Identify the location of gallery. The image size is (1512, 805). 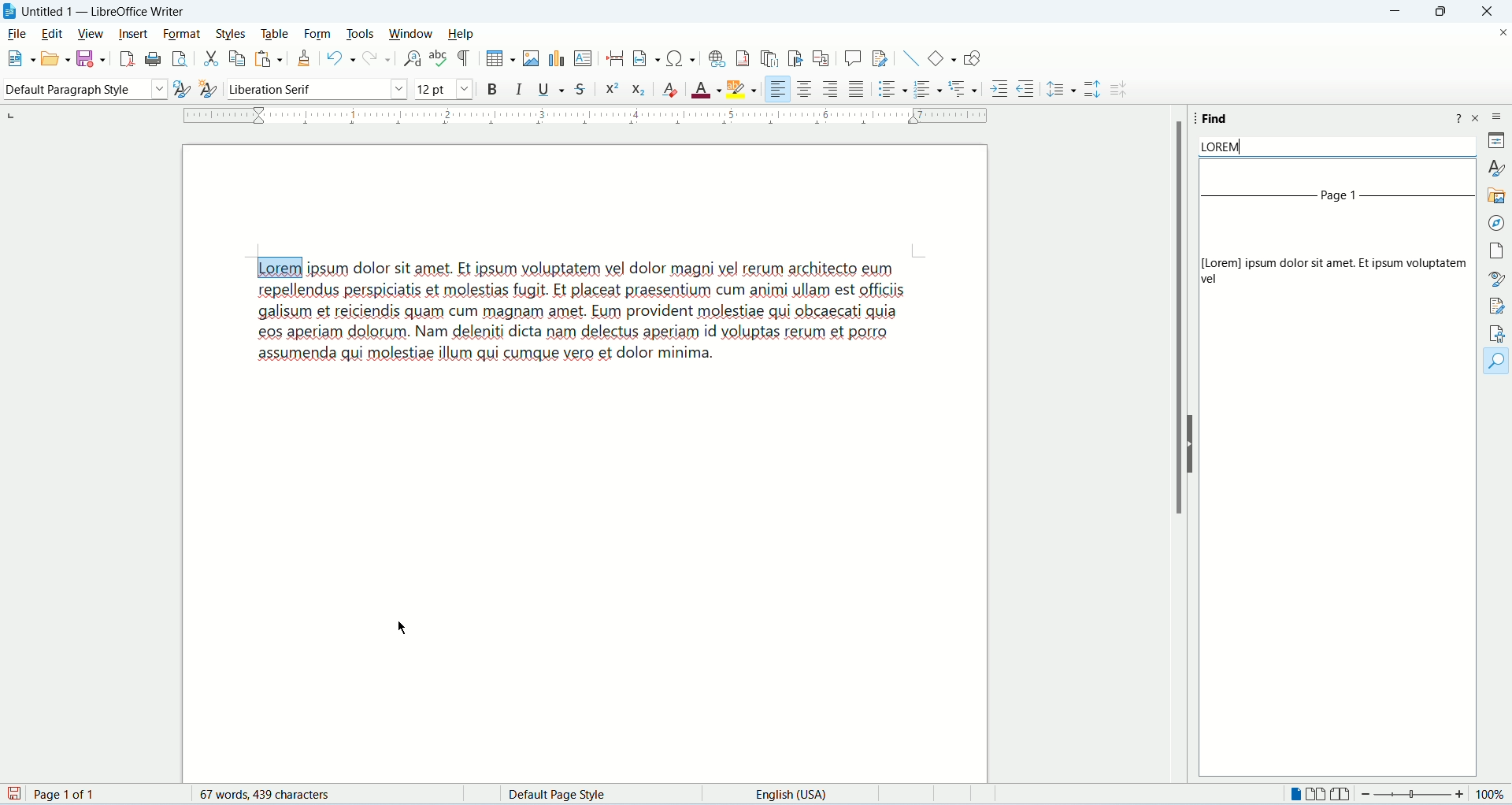
(1495, 194).